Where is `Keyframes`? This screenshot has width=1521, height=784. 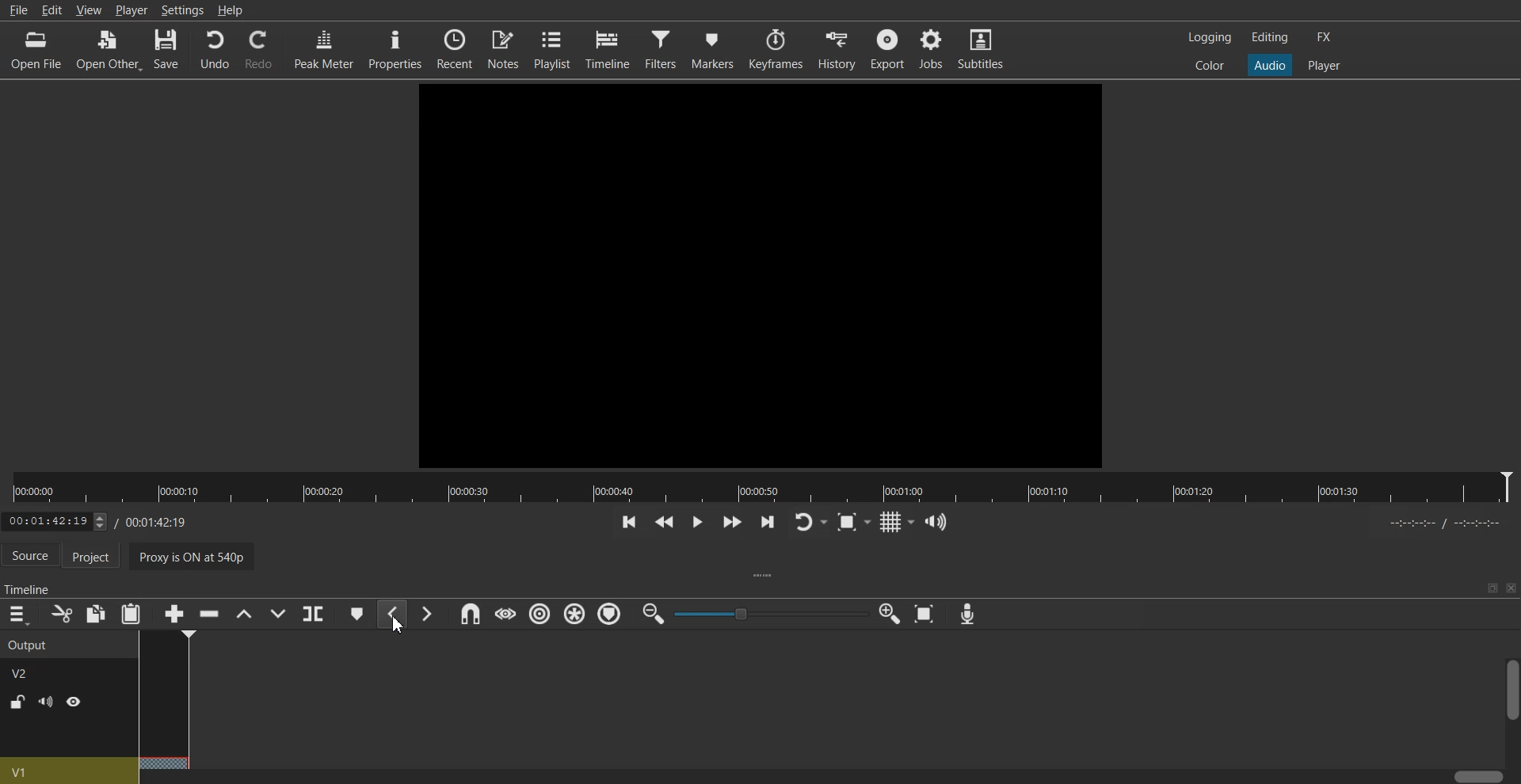
Keyframes is located at coordinates (776, 48).